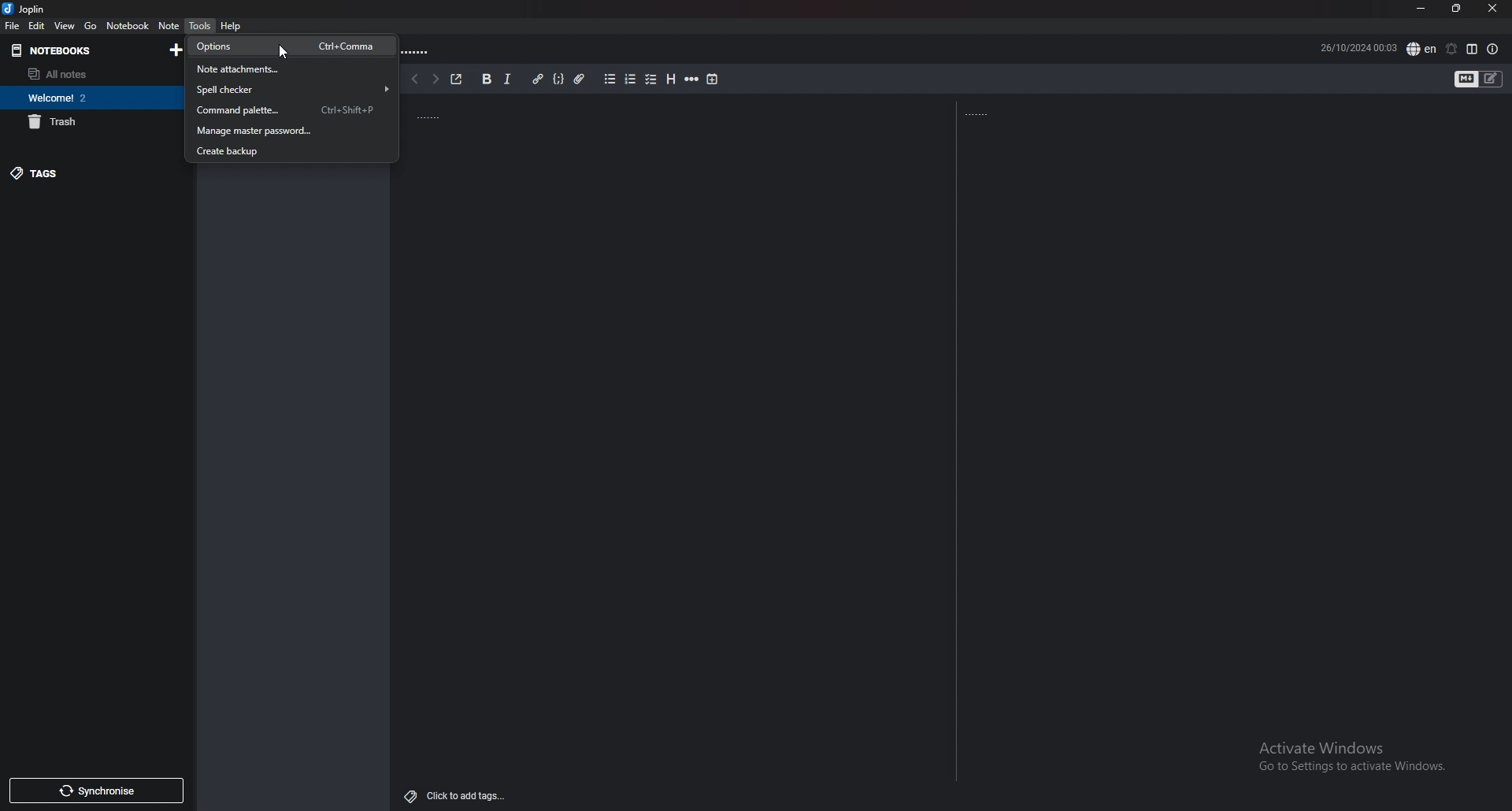  I want to click on add attachment, so click(579, 80).